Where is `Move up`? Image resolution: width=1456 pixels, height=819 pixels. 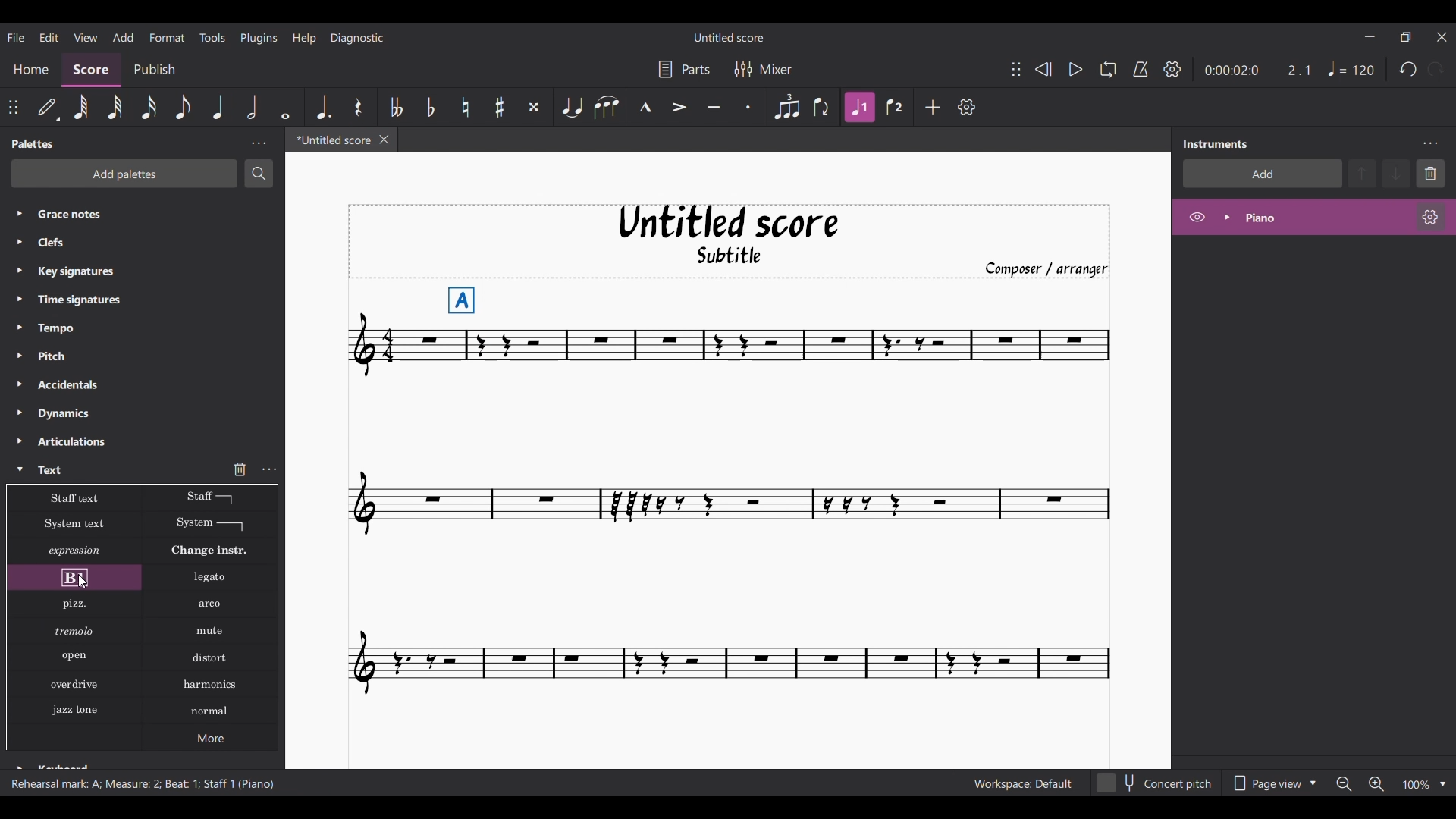
Move up is located at coordinates (1362, 173).